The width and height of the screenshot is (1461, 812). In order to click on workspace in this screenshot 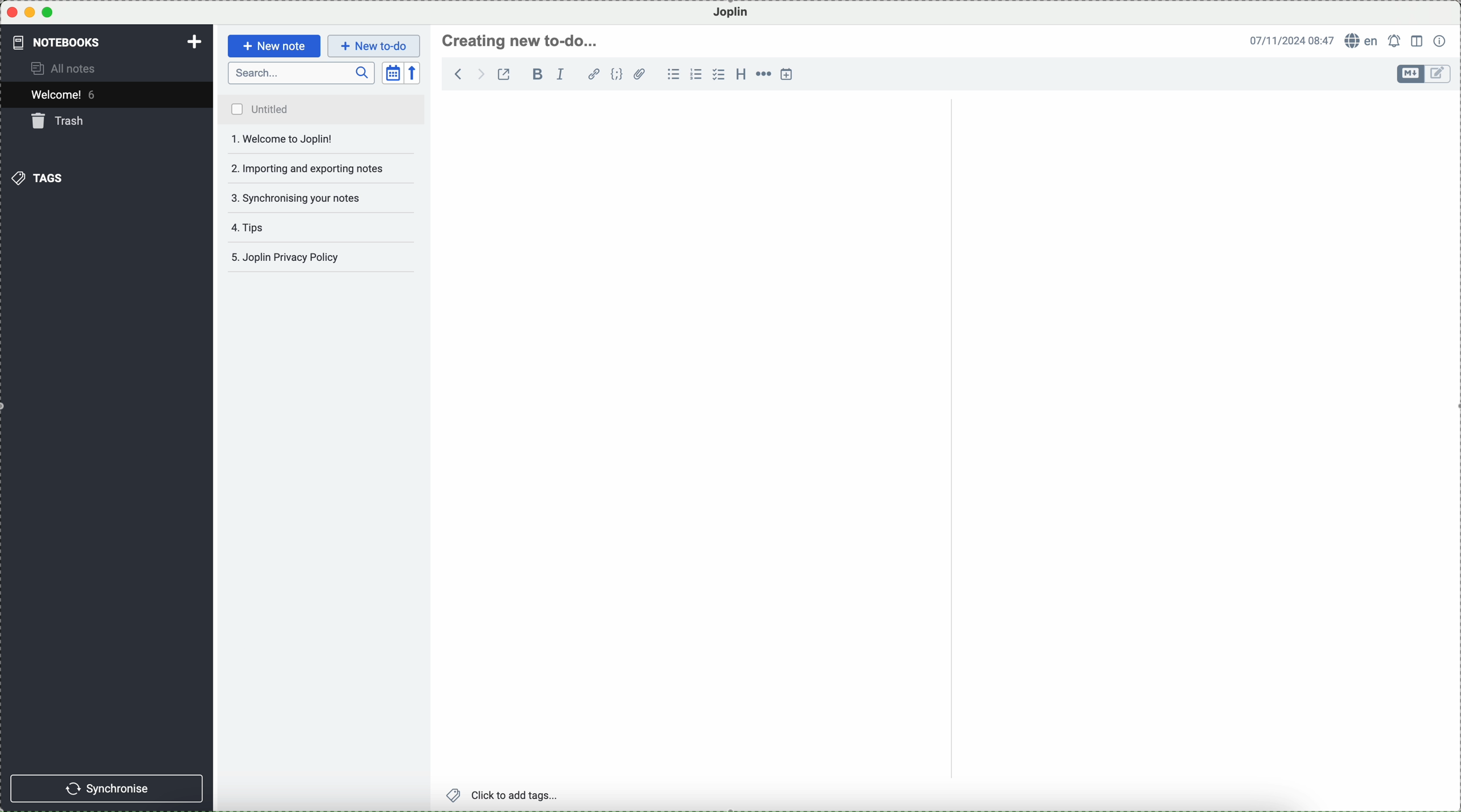, I will do `click(943, 436)`.